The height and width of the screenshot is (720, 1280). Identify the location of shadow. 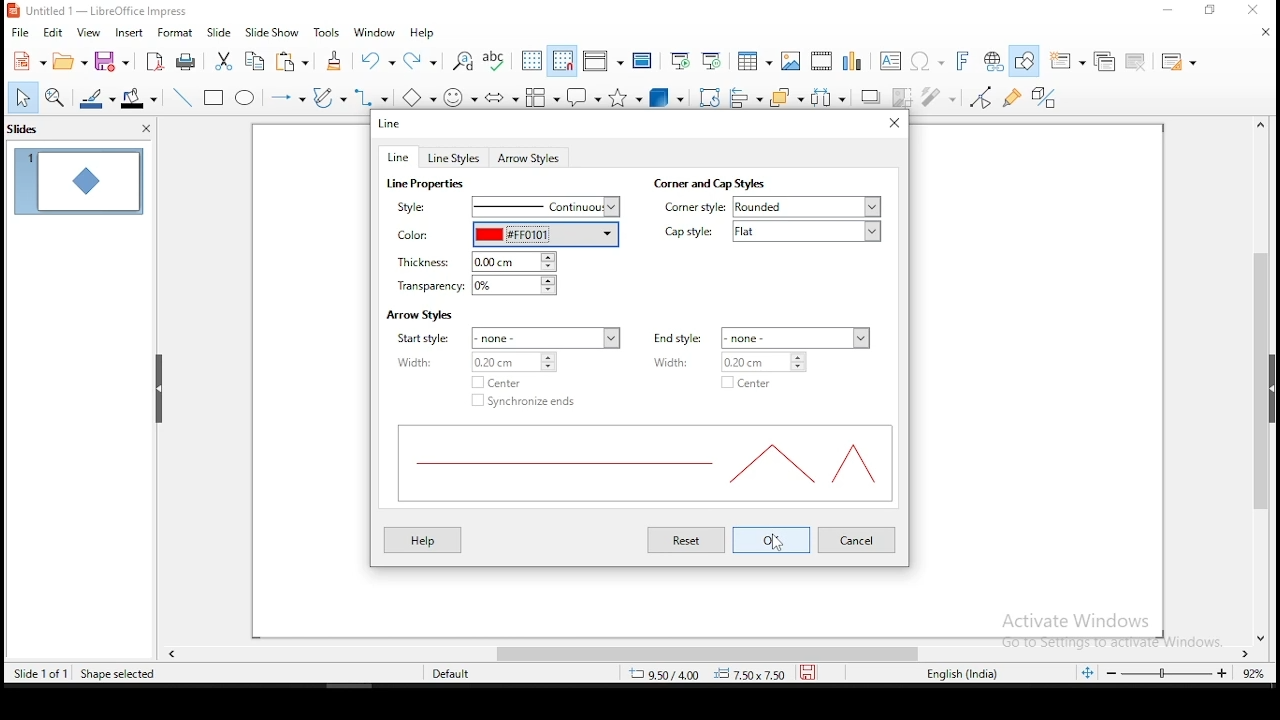
(871, 96).